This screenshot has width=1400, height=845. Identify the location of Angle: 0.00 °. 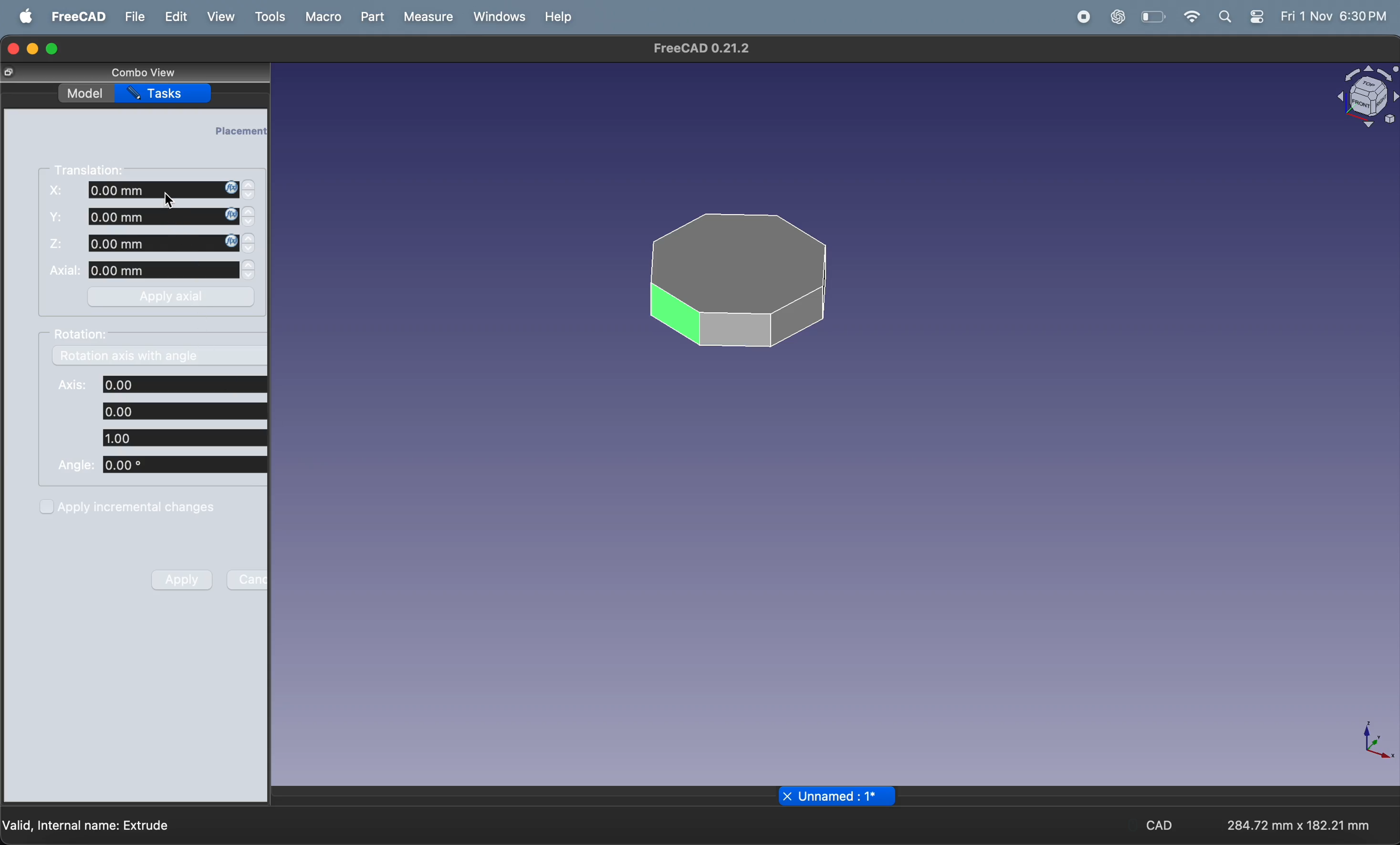
(160, 466).